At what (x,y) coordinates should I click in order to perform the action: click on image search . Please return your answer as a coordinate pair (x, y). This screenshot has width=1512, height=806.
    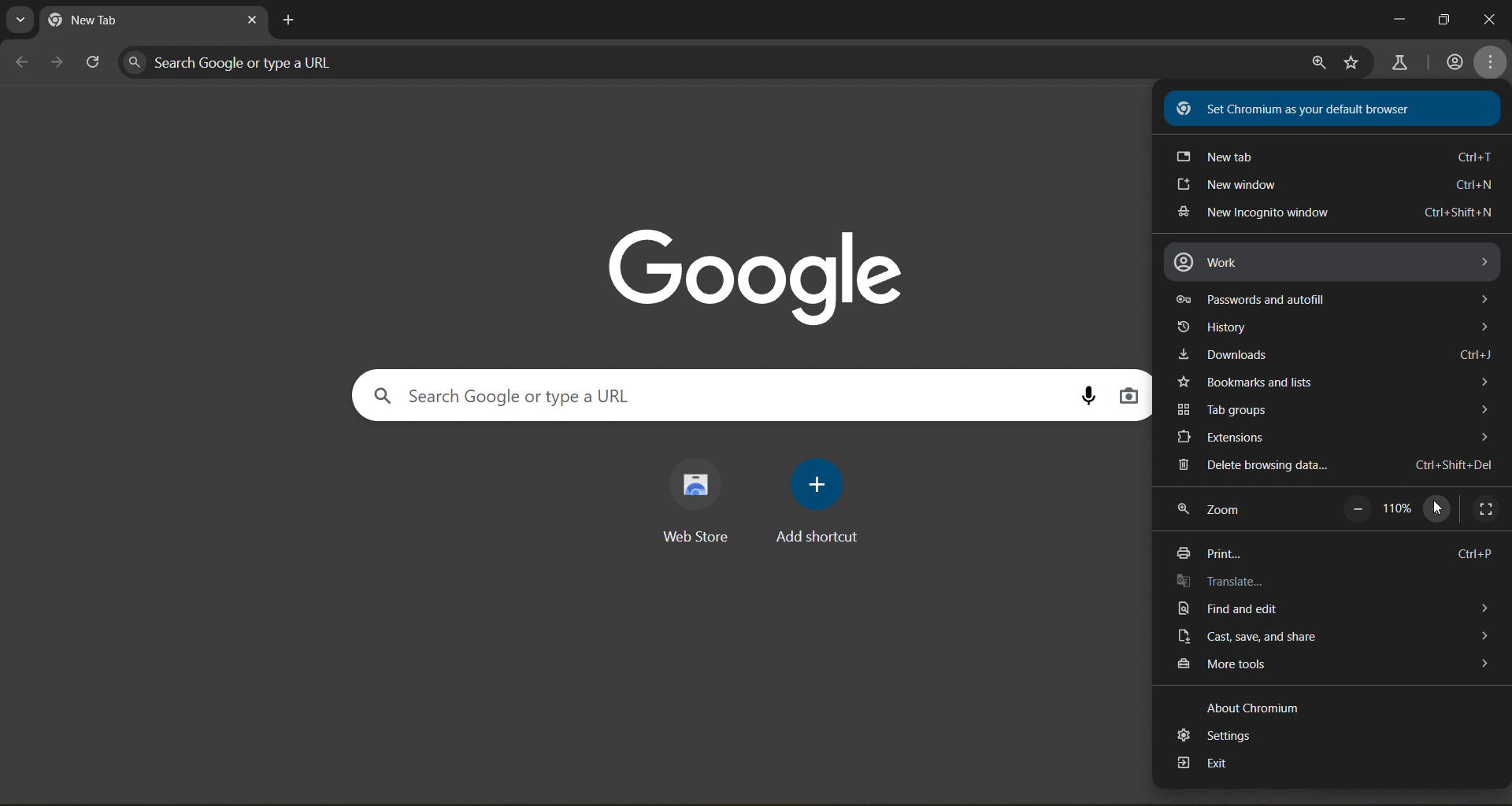
    Looking at the image, I should click on (1130, 396).